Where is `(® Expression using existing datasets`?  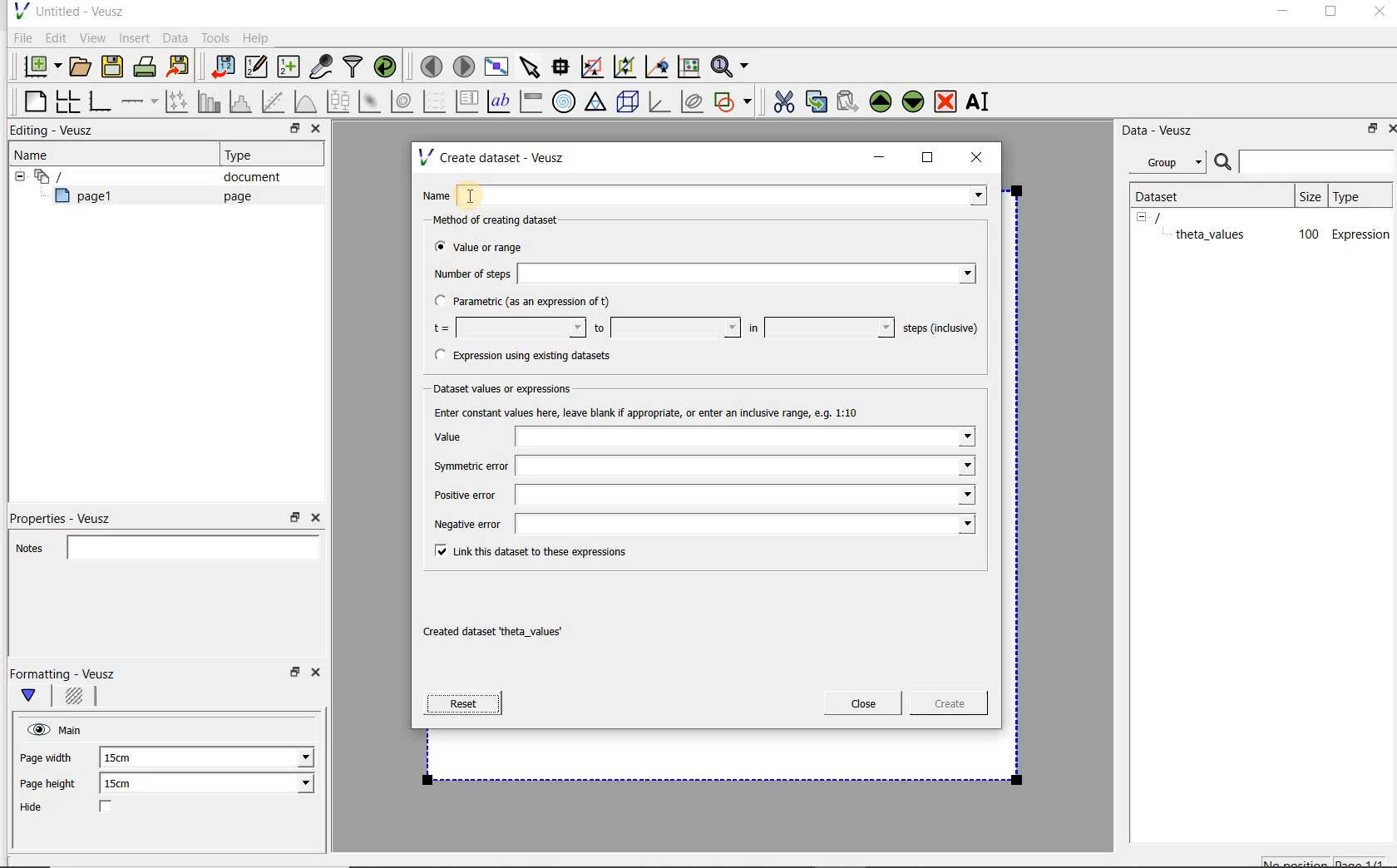
(® Expression using existing datasets is located at coordinates (535, 356).